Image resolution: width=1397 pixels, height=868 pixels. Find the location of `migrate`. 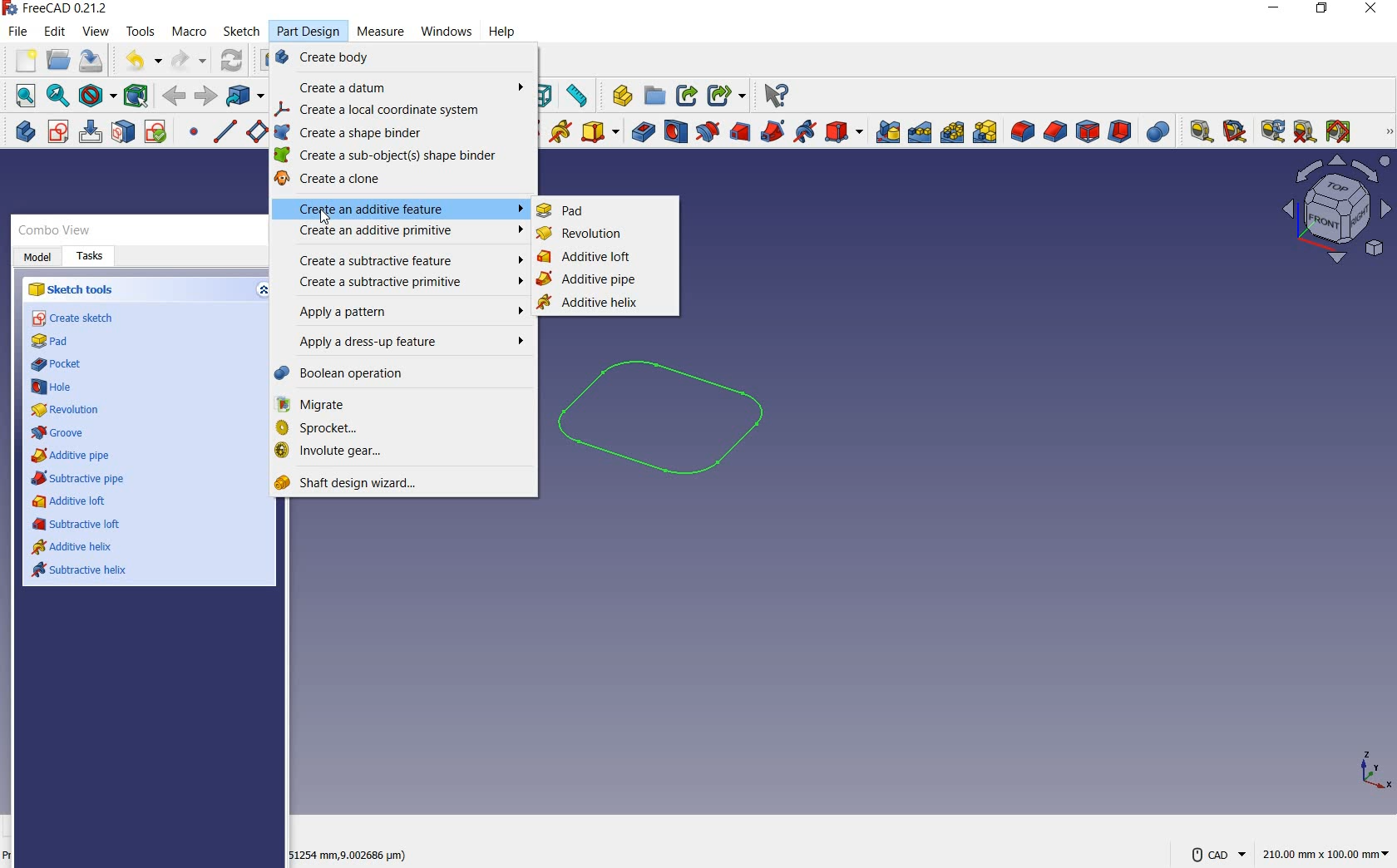

migrate is located at coordinates (405, 405).